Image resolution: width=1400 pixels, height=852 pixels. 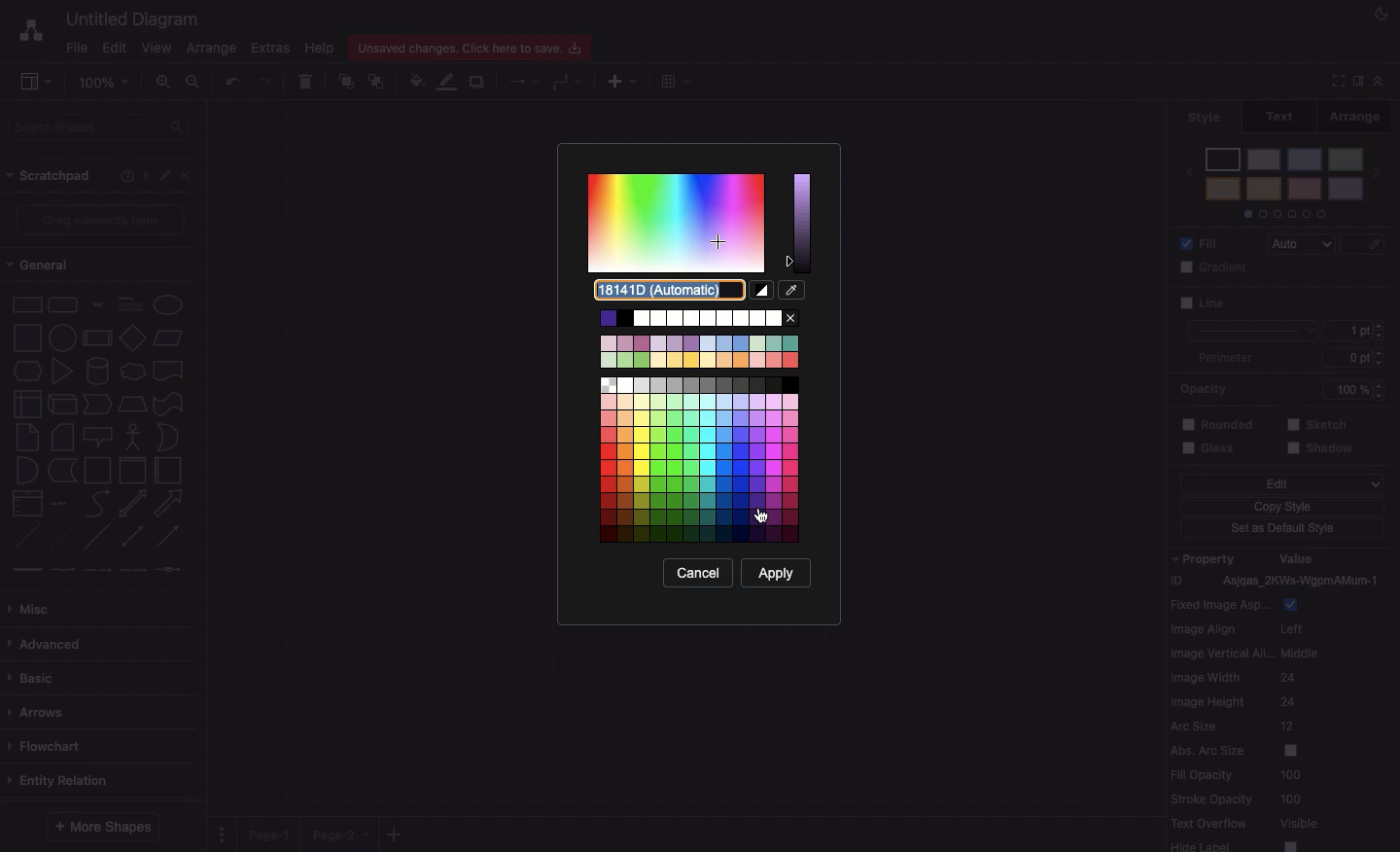 What do you see at coordinates (97, 536) in the screenshot?
I see `line` at bounding box center [97, 536].